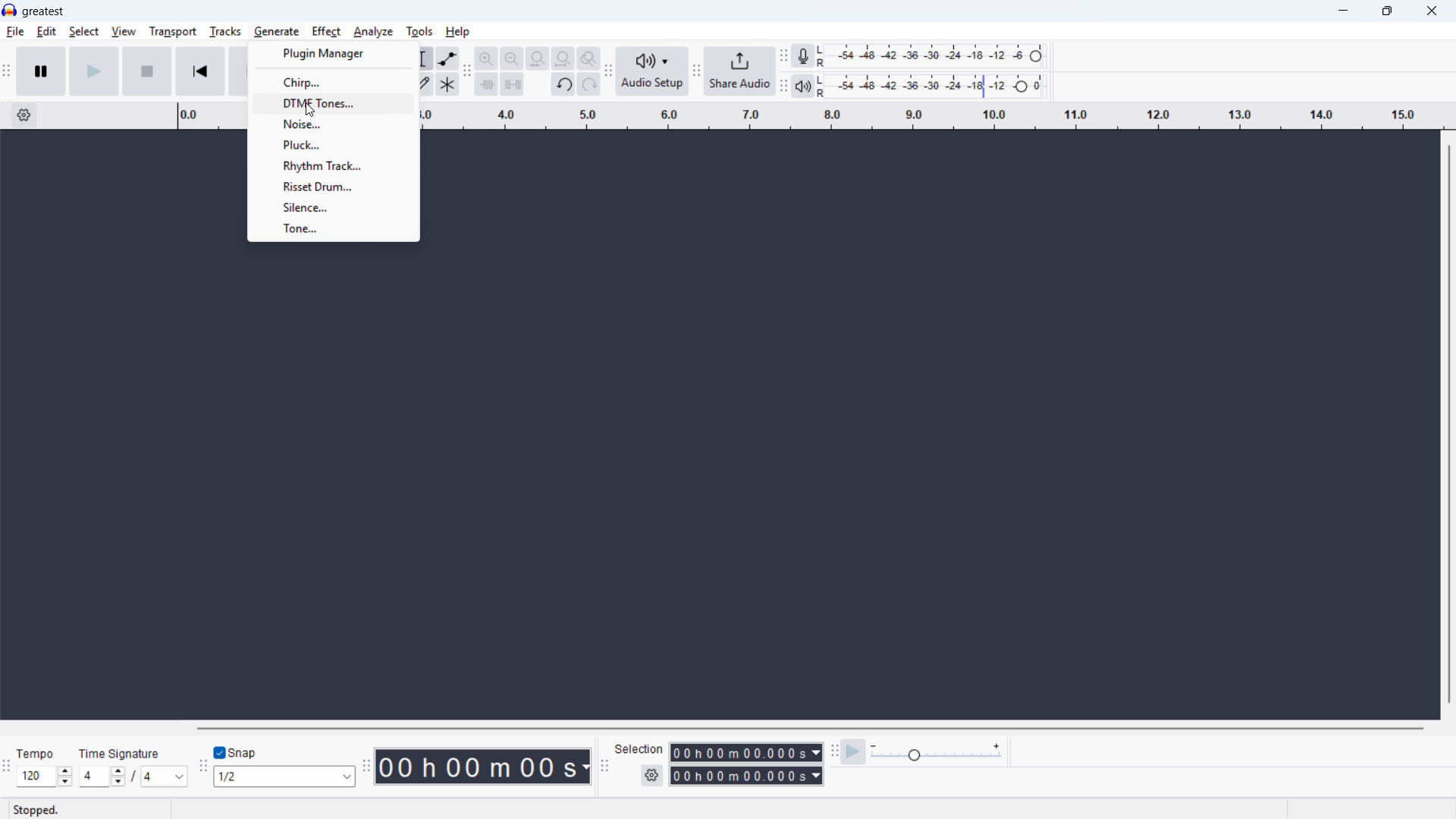  What do you see at coordinates (653, 72) in the screenshot?
I see `audio setup` at bounding box center [653, 72].